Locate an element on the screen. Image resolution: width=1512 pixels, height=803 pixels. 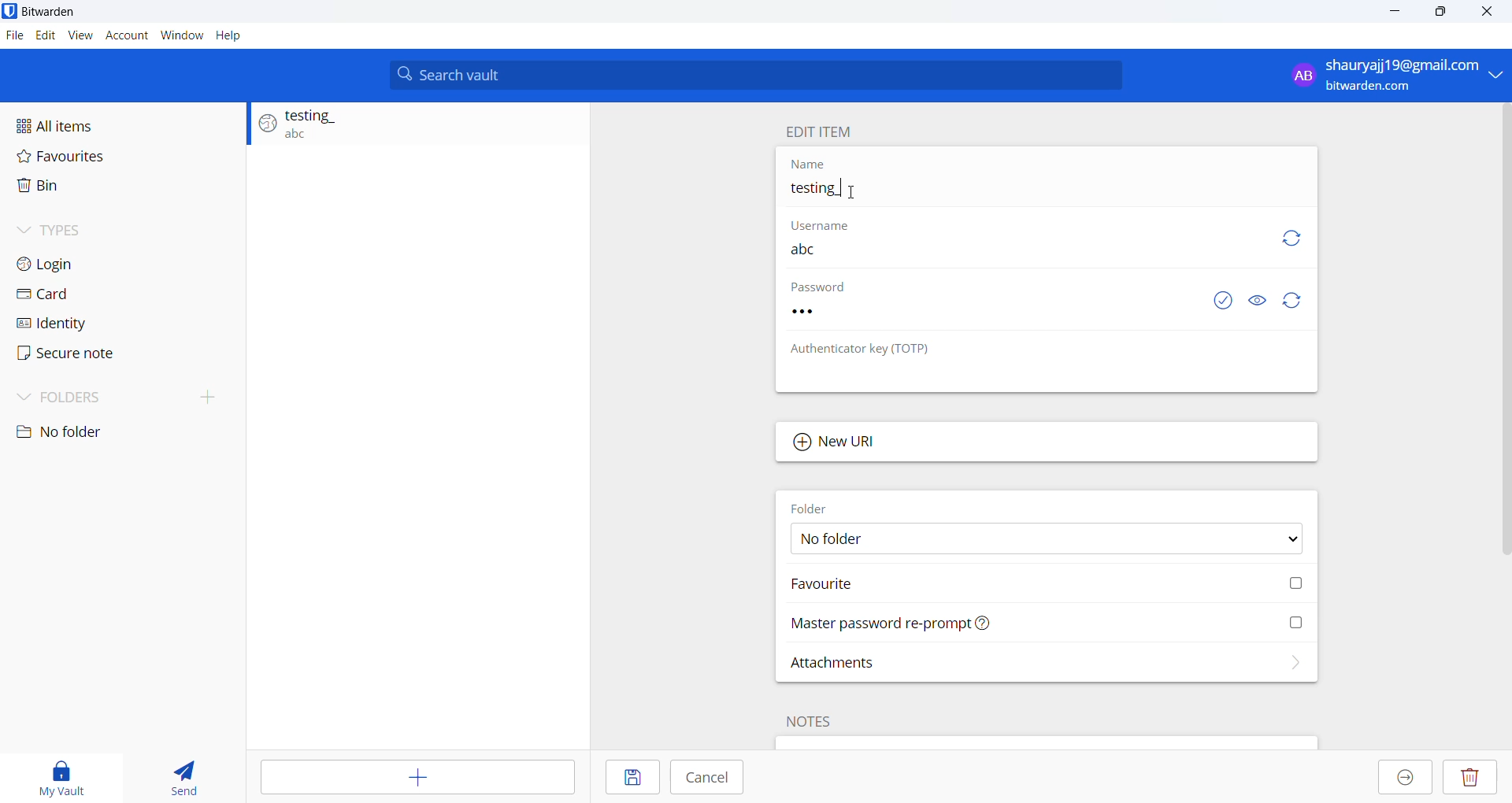
minimize is located at coordinates (1392, 17).